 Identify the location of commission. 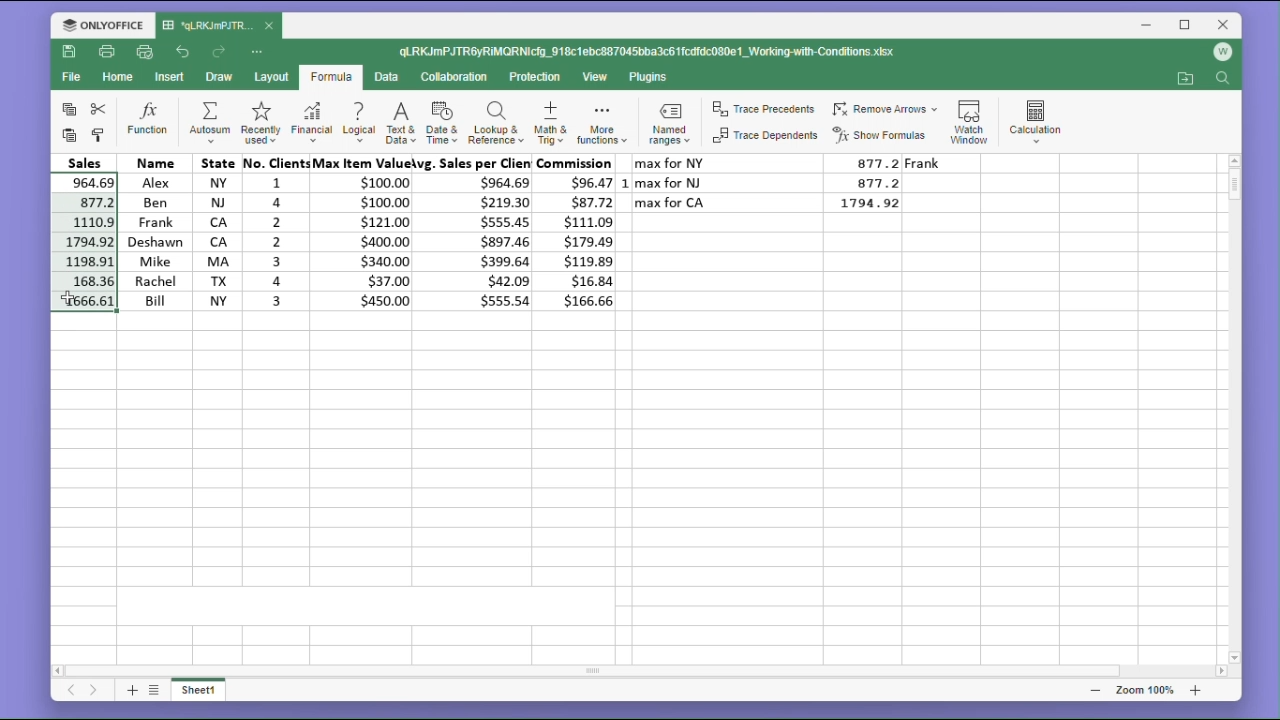
(580, 233).